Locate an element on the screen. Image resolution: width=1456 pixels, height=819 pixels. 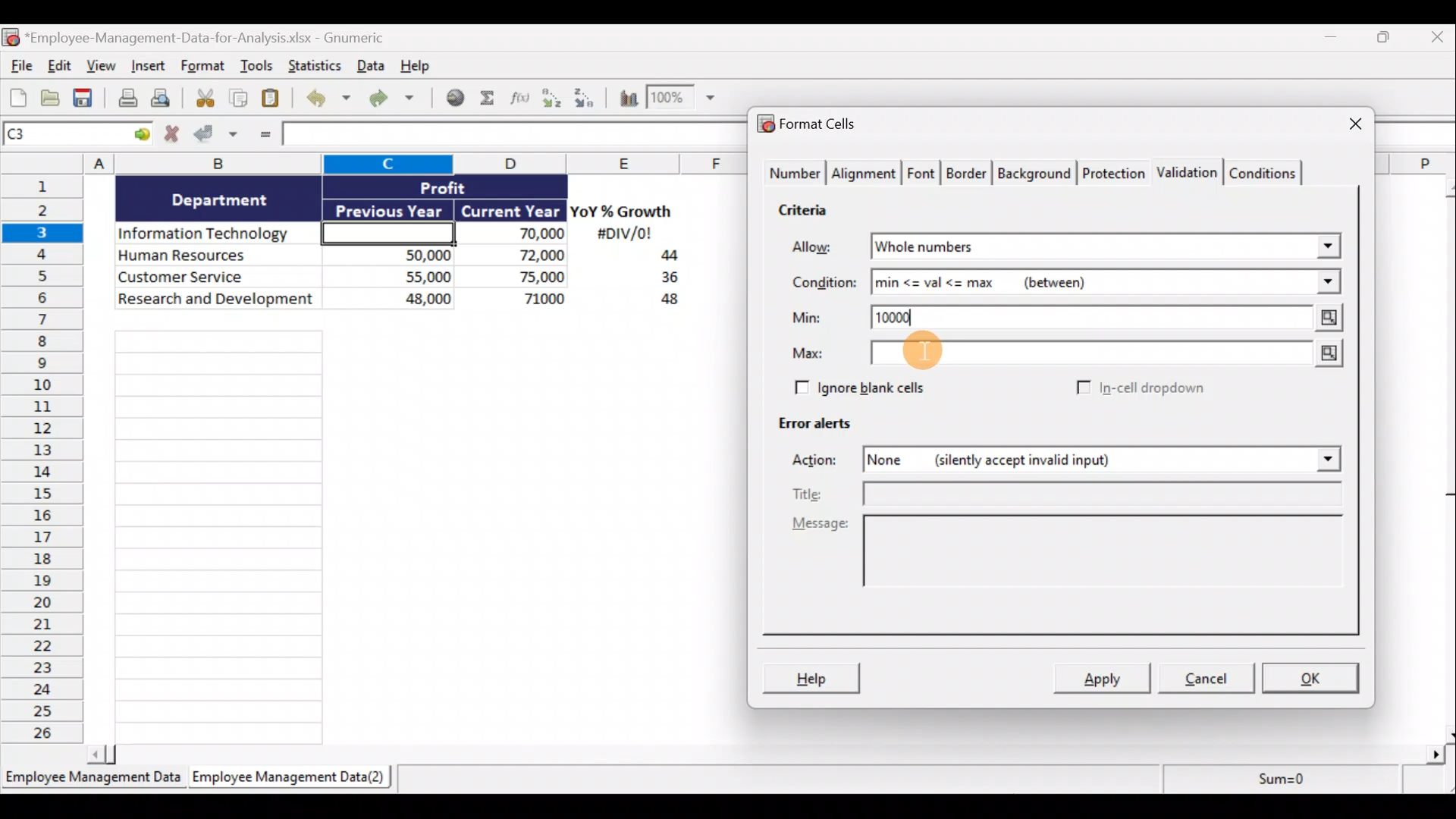
Undo last action is located at coordinates (331, 99).